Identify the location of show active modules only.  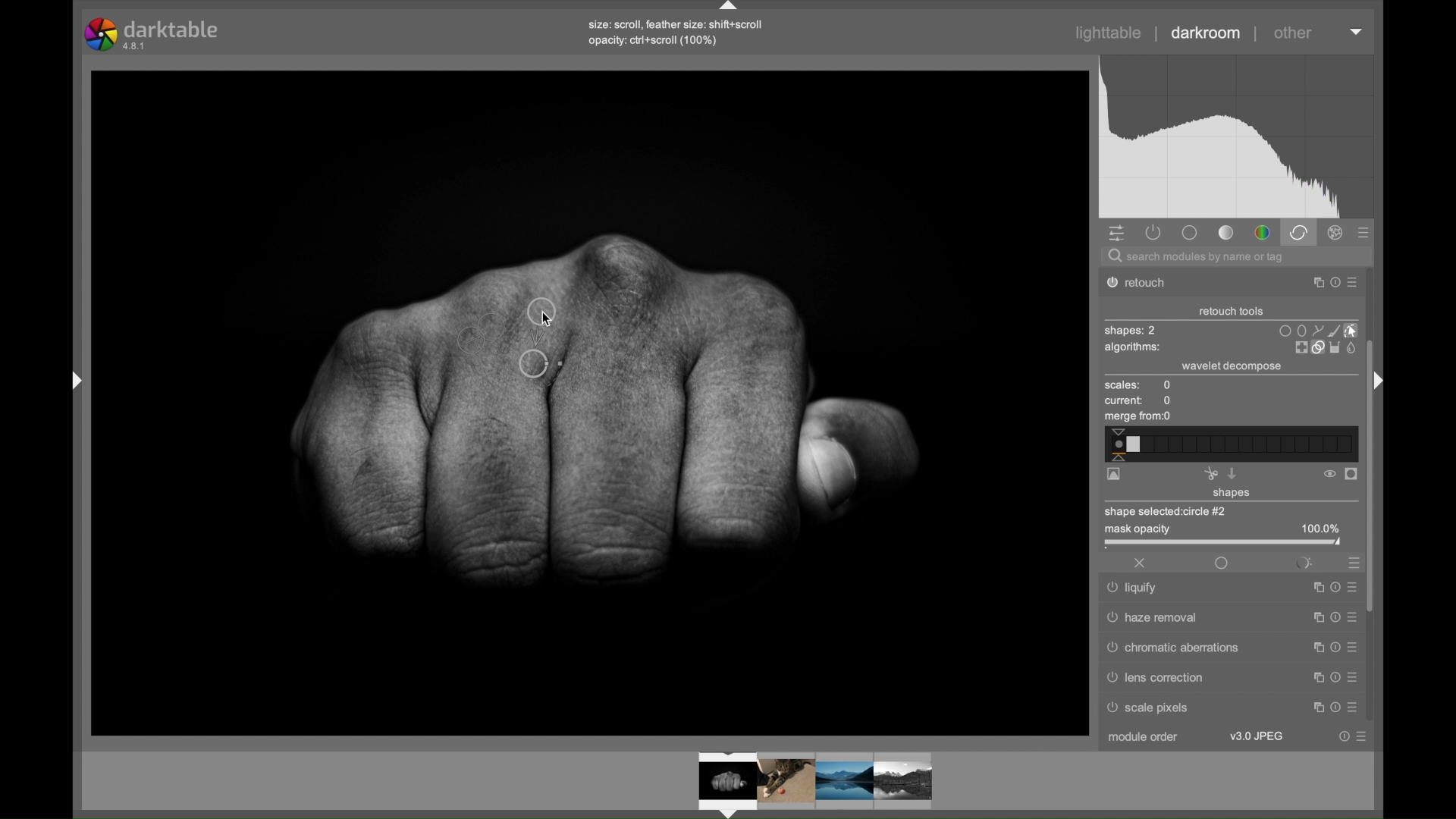
(1154, 232).